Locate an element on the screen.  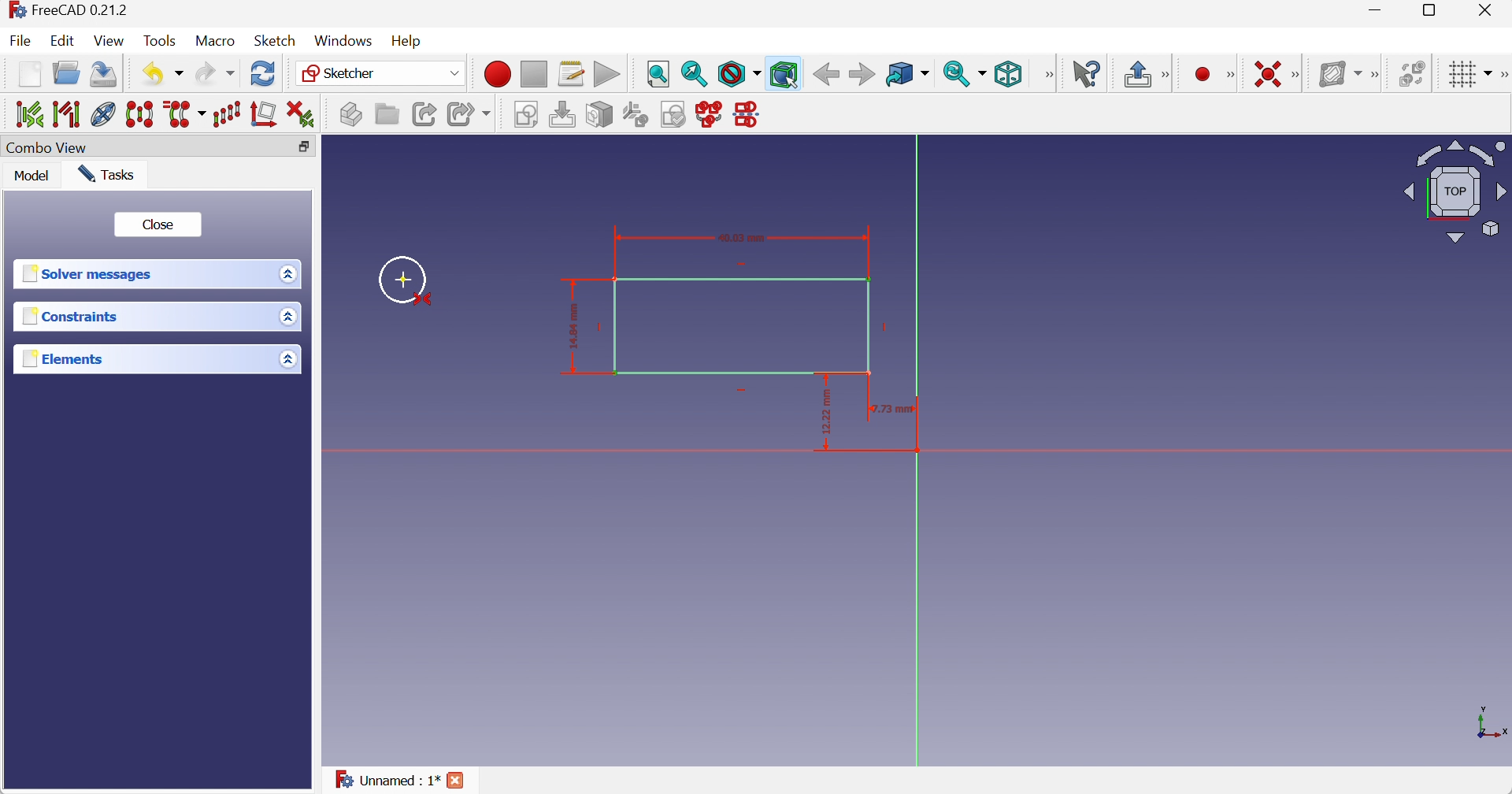
Fit all is located at coordinates (659, 75).